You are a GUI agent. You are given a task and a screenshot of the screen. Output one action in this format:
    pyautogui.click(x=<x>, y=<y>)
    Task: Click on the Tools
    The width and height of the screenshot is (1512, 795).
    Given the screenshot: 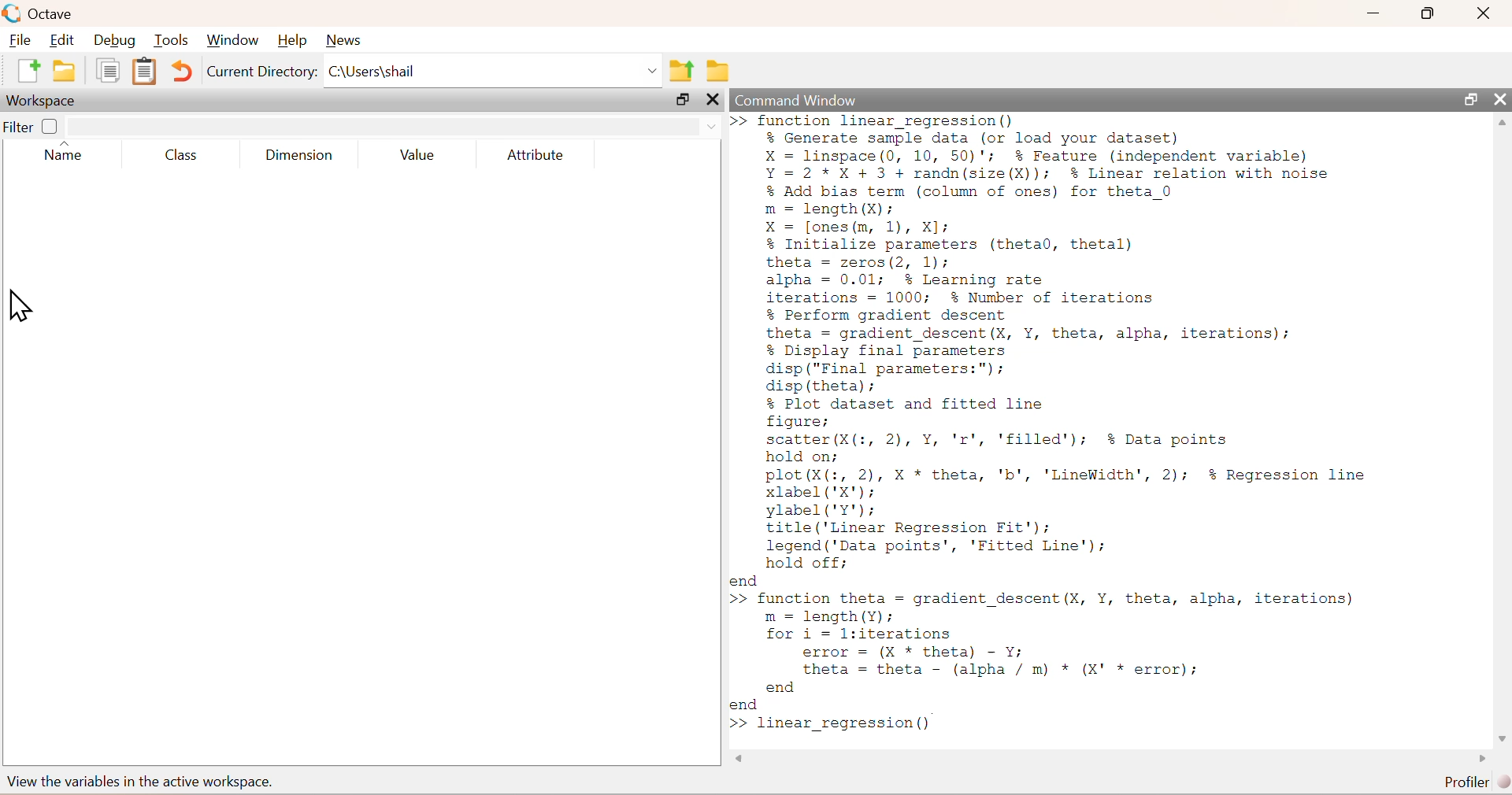 What is the action you would take?
    pyautogui.click(x=172, y=40)
    